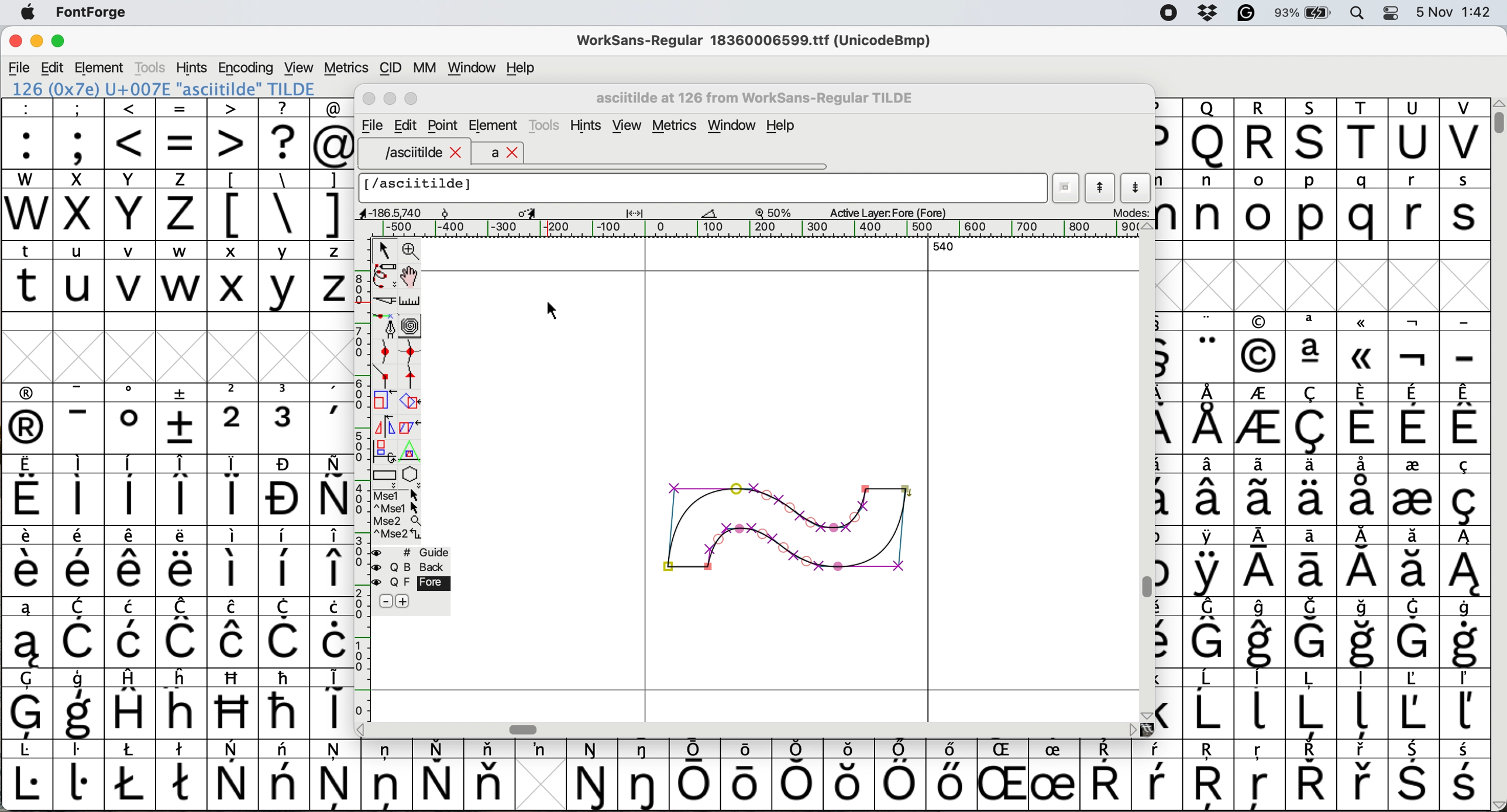 The image size is (1507, 812). I want to click on symbol, so click(79, 774).